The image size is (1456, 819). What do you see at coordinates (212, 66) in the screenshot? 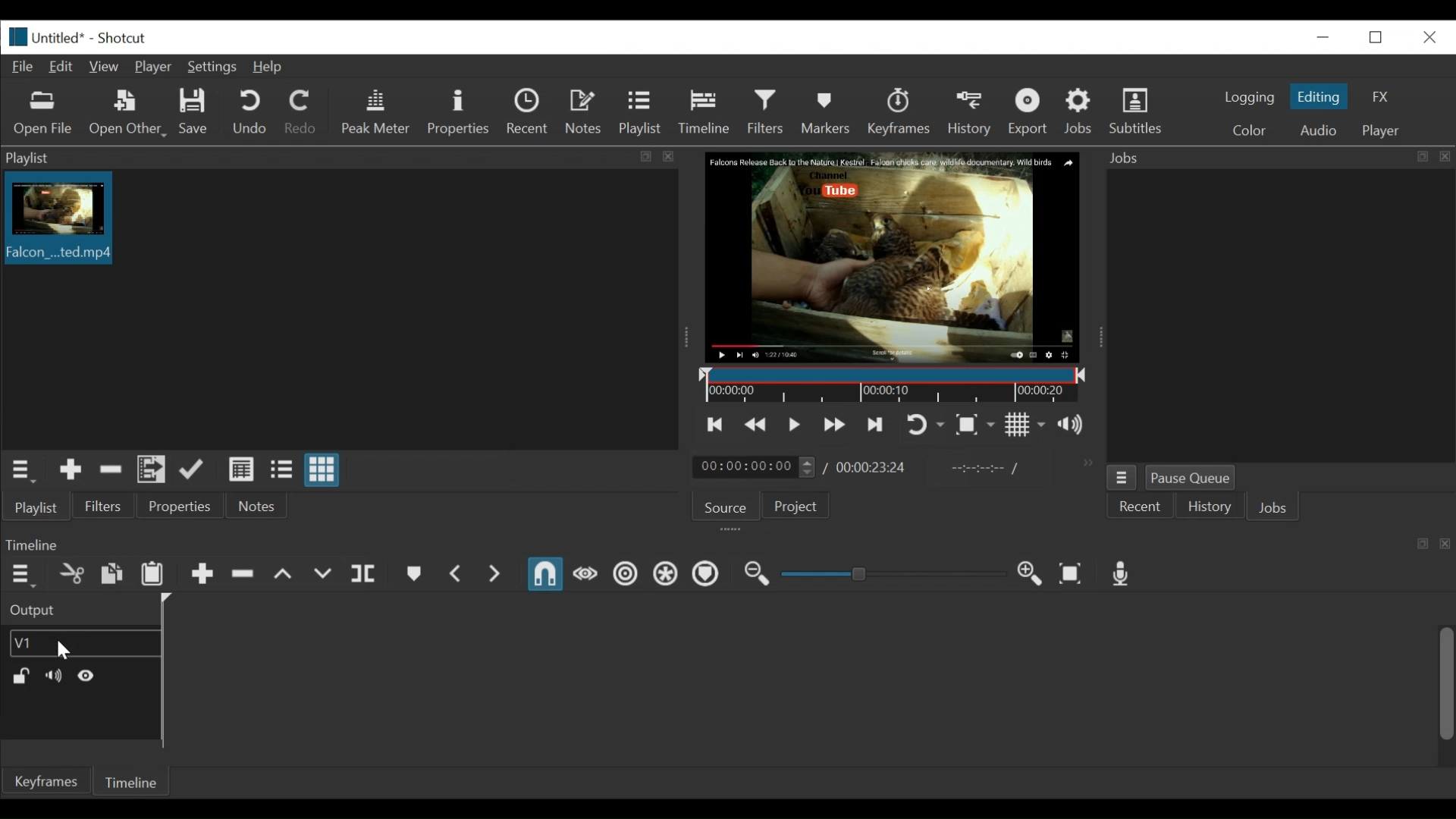
I see `Settings` at bounding box center [212, 66].